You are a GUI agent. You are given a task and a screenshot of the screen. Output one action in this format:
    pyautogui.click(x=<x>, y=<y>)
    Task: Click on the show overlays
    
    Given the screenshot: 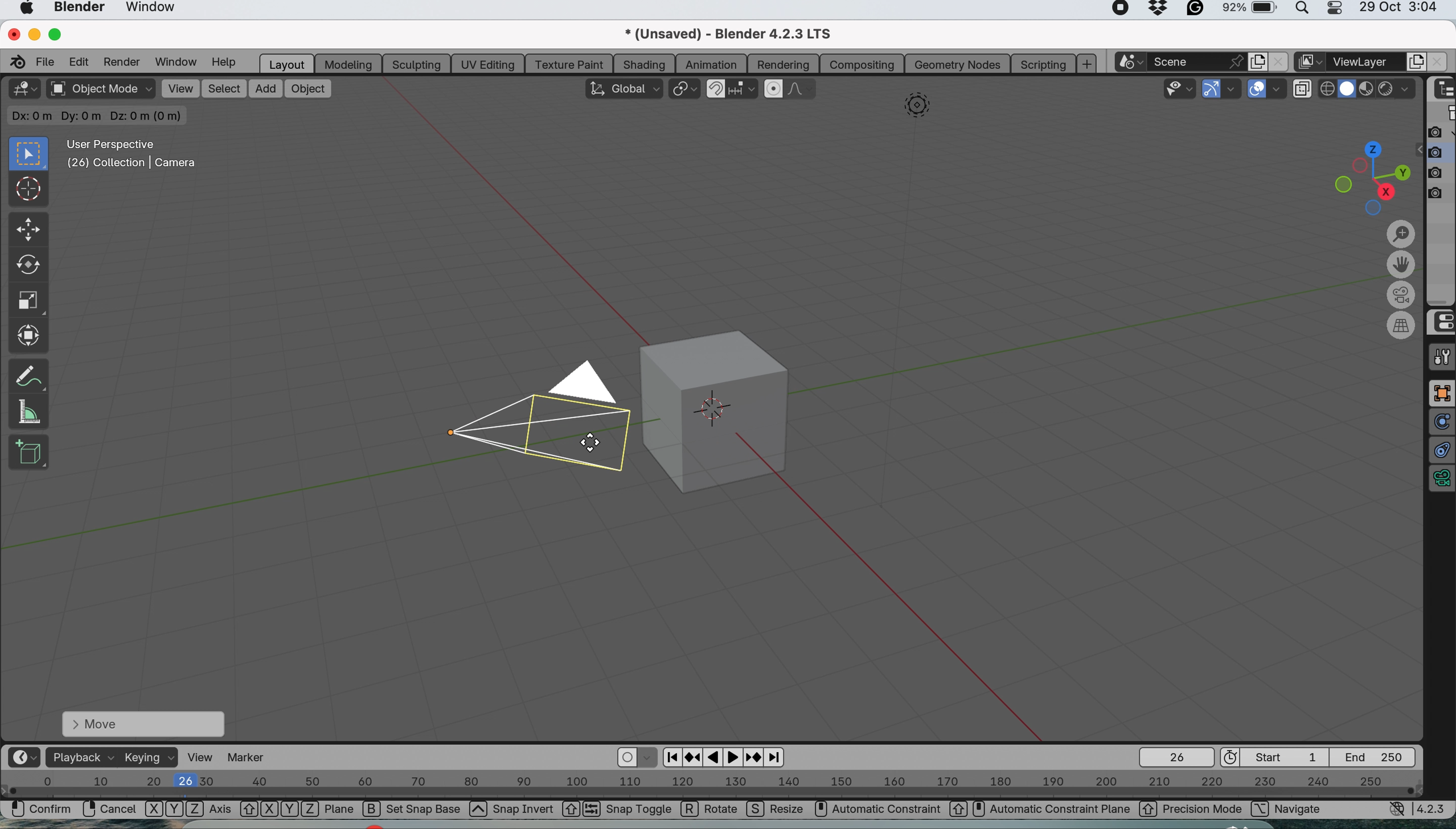 What is the action you would take?
    pyautogui.click(x=1258, y=90)
    